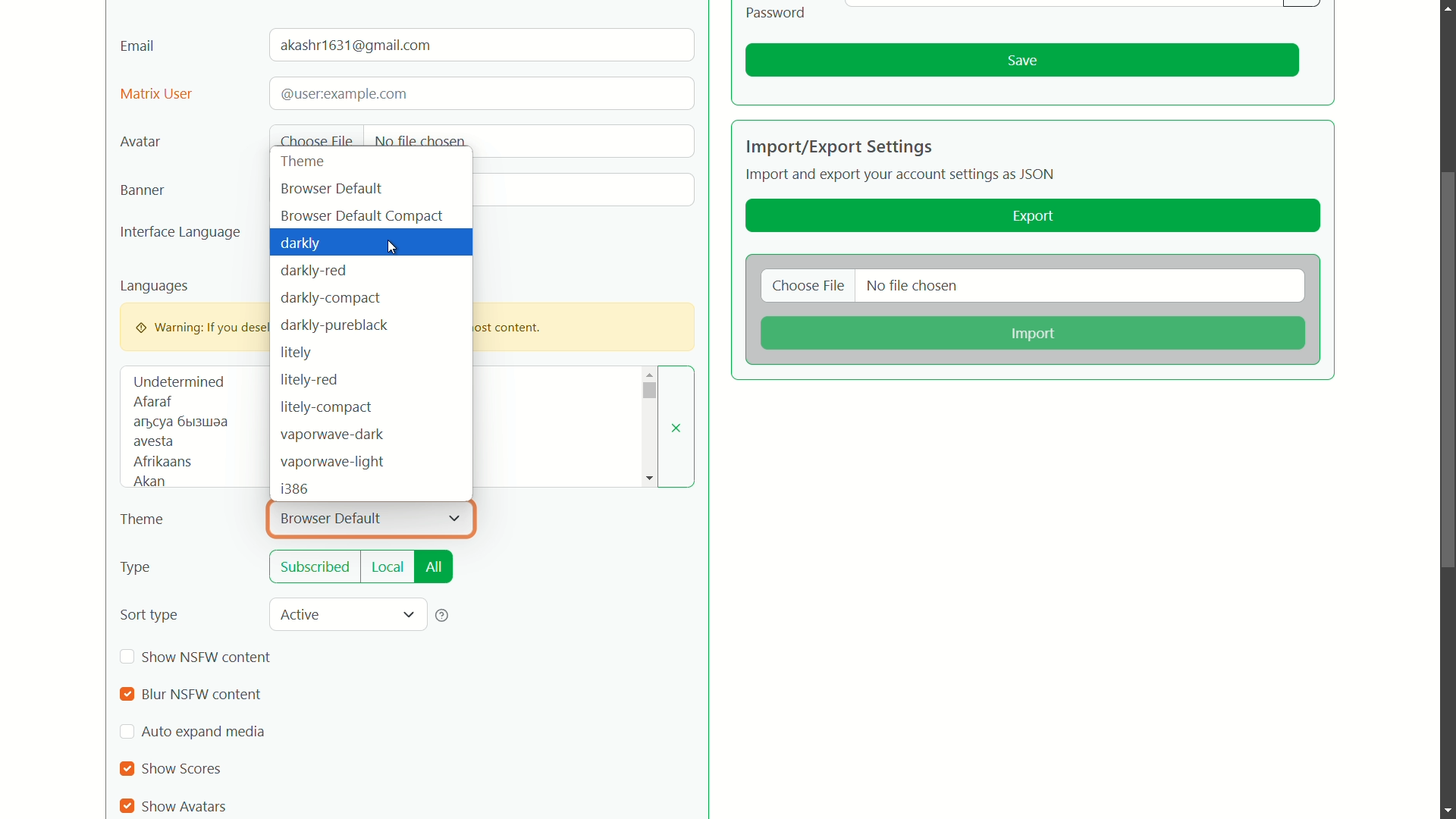 Image resolution: width=1456 pixels, height=819 pixels. I want to click on dropdown, so click(648, 391).